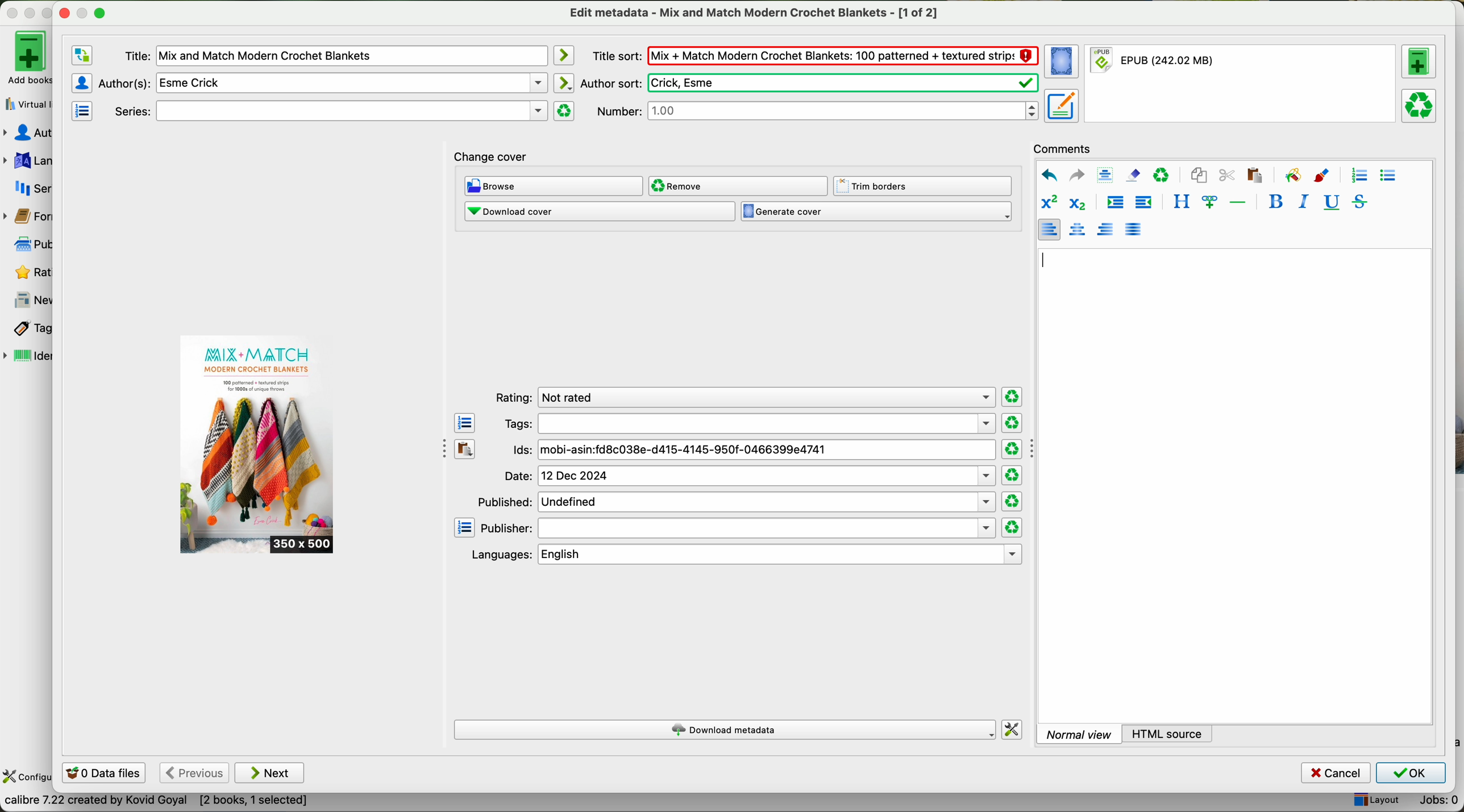 Image resolution: width=1464 pixels, height=812 pixels. What do you see at coordinates (1133, 174) in the screenshot?
I see `remove formatting` at bounding box center [1133, 174].